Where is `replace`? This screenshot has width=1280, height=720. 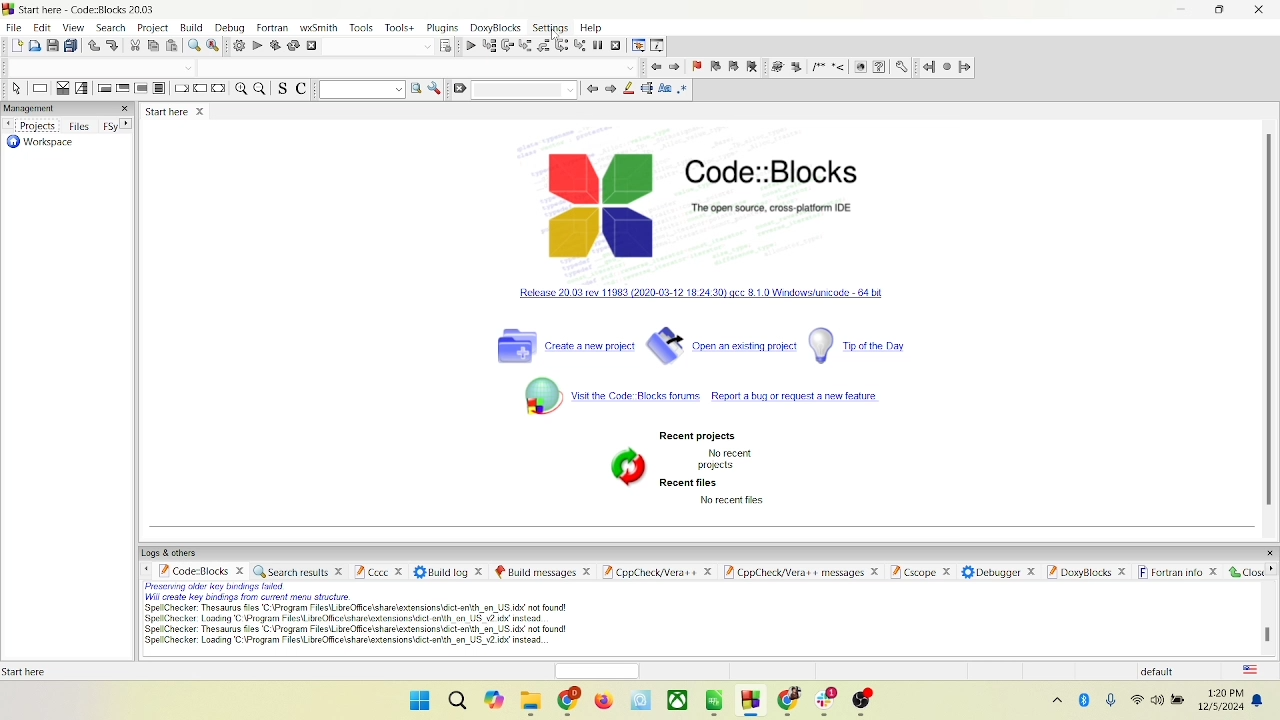
replace is located at coordinates (212, 45).